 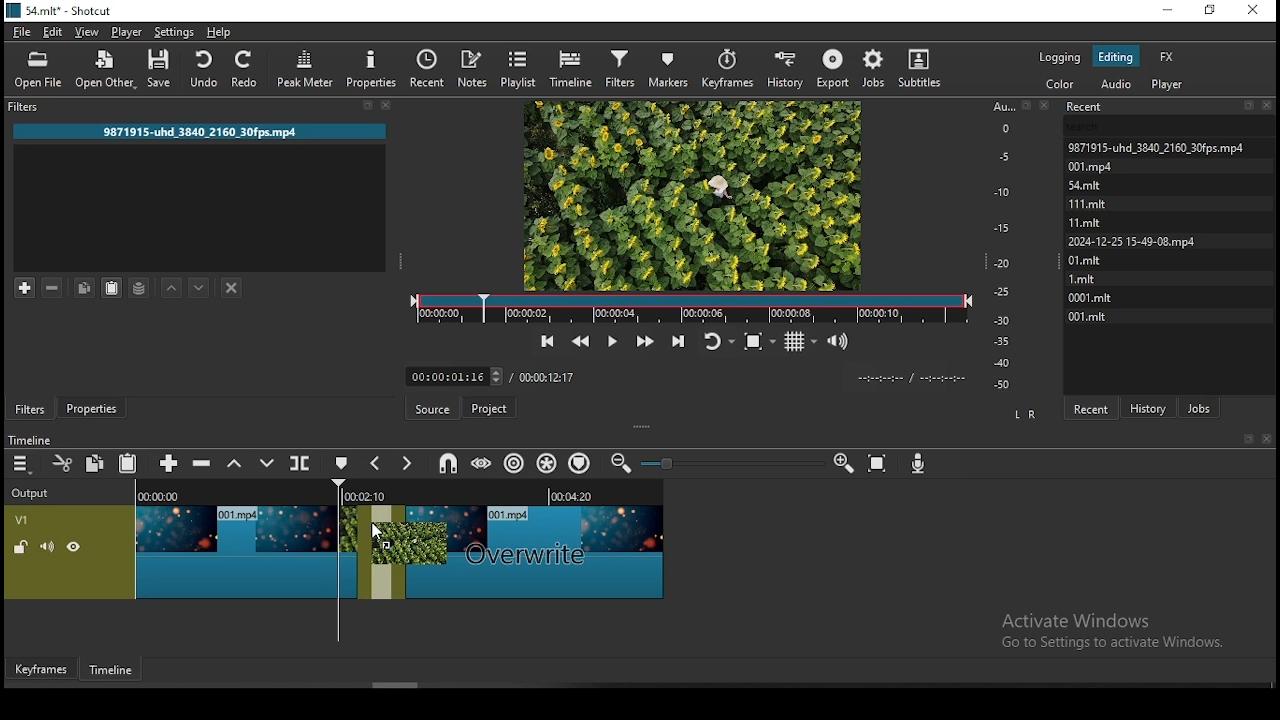 I want to click on jobs, so click(x=1199, y=408).